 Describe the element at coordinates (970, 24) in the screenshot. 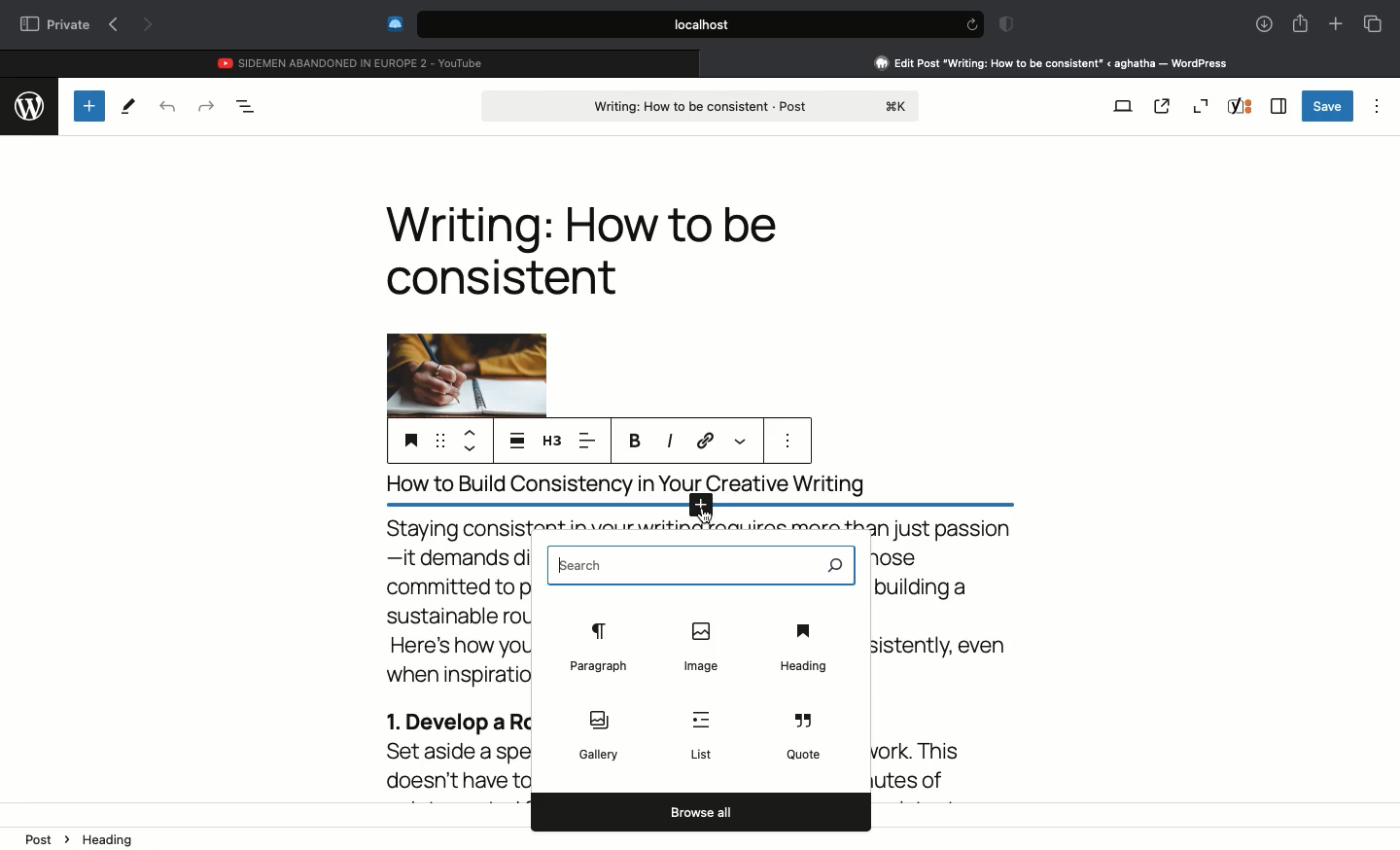

I see `refresh` at that location.